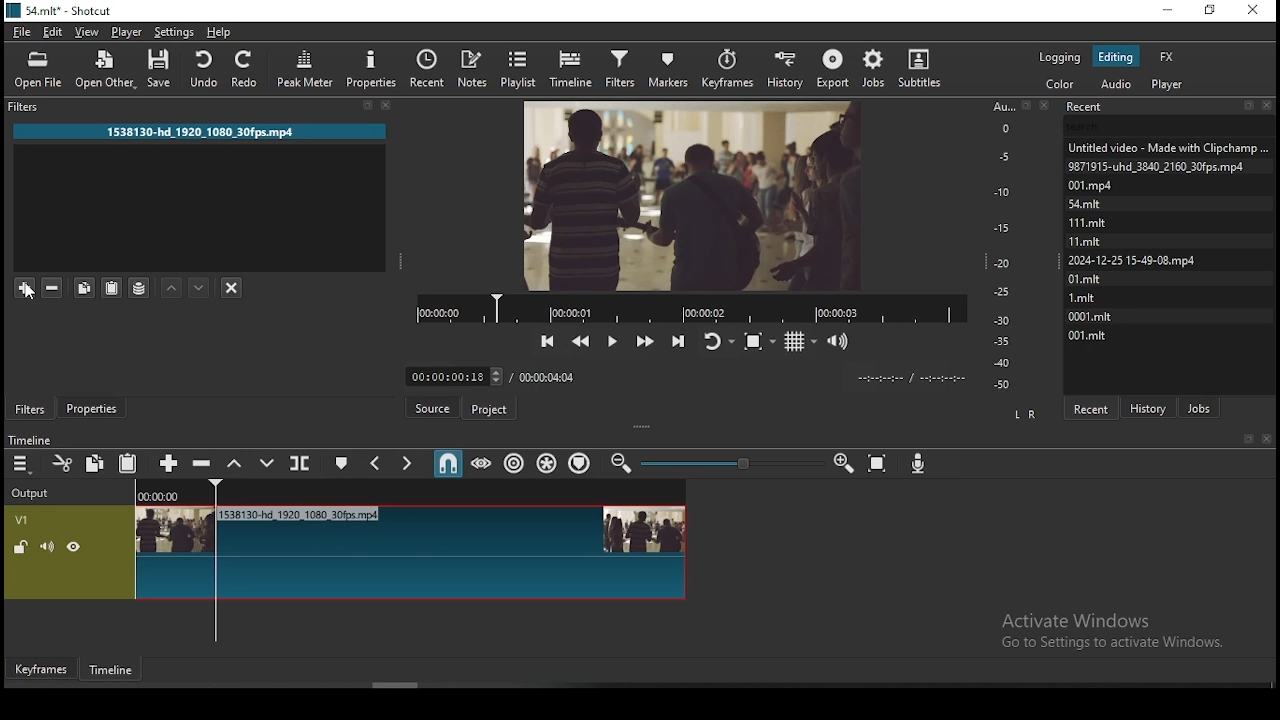  Describe the element at coordinates (1173, 56) in the screenshot. I see `fx` at that location.